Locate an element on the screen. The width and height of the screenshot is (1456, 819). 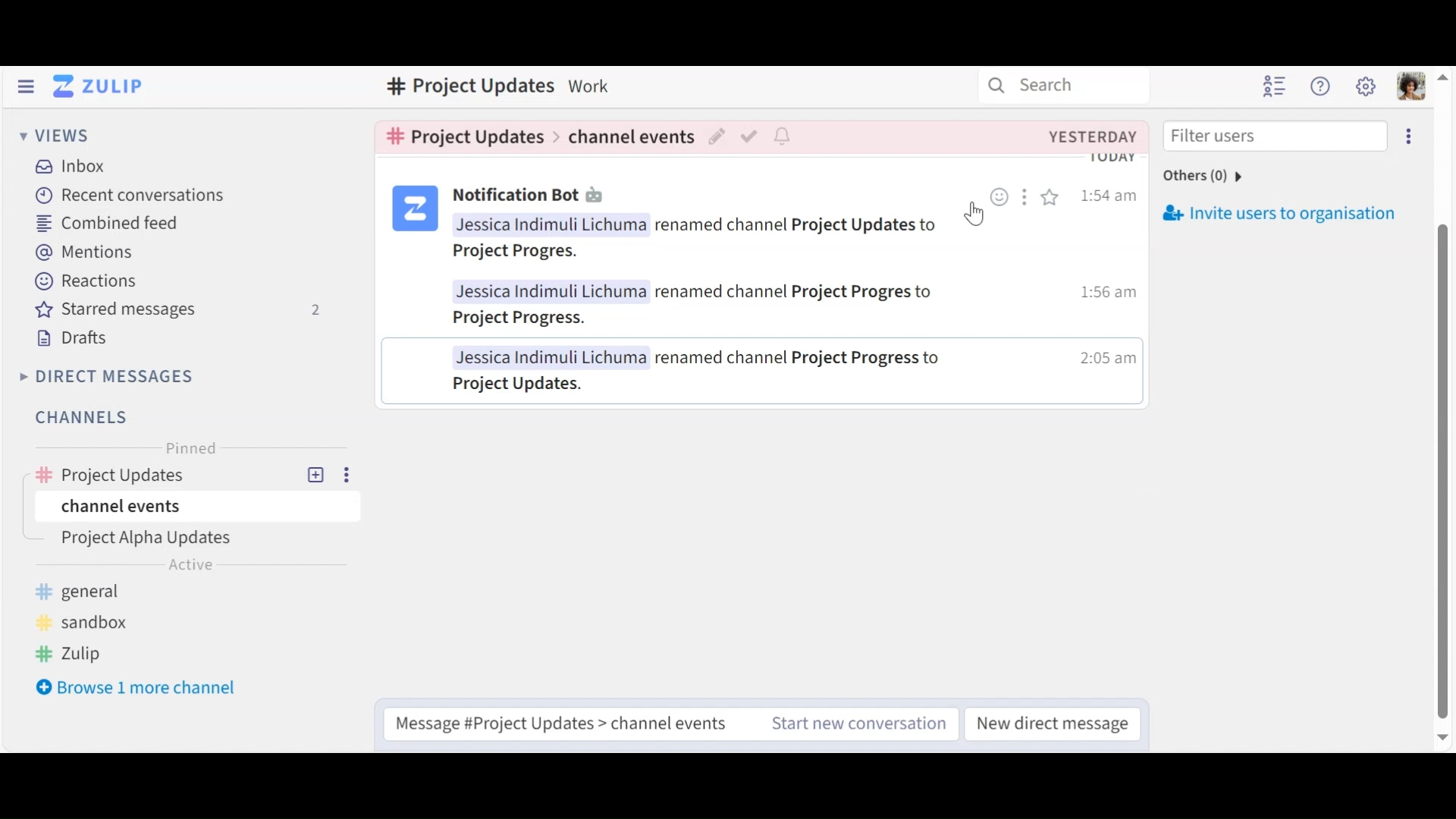
Mentions is located at coordinates (88, 252).